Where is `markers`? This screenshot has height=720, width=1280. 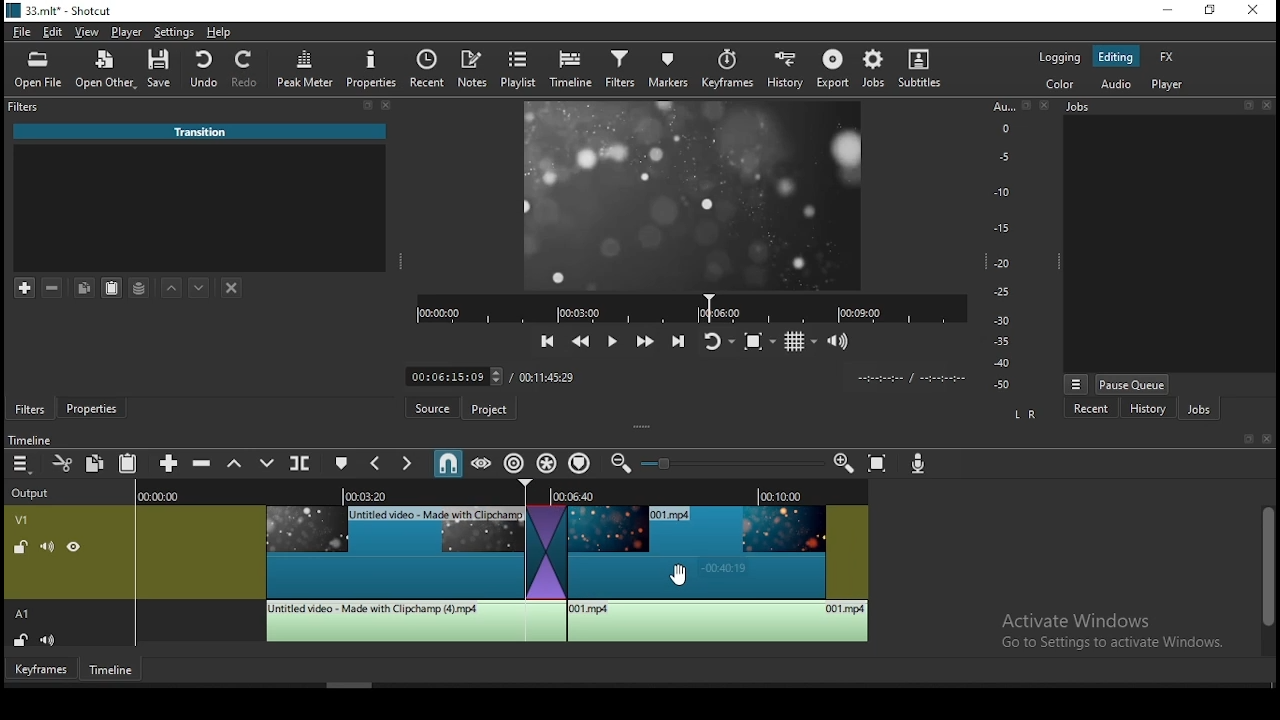 markers is located at coordinates (670, 70).